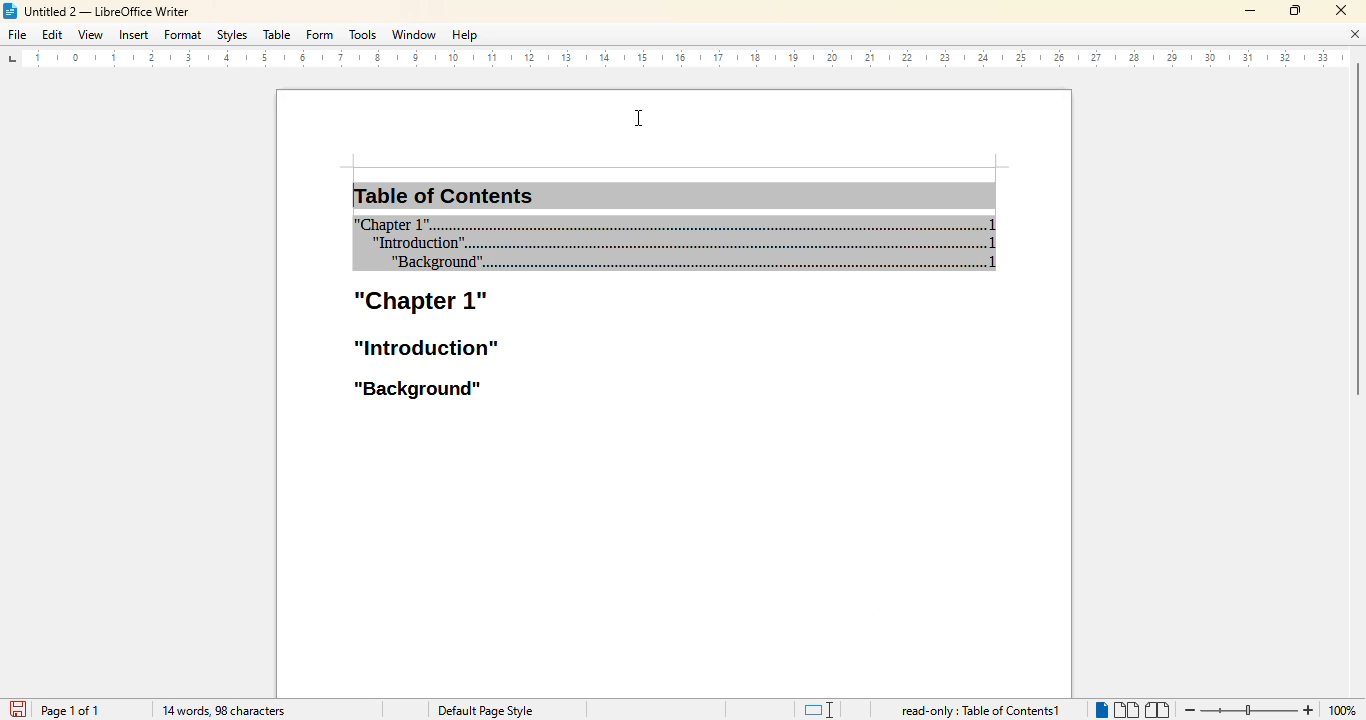 The image size is (1366, 720). What do you see at coordinates (319, 35) in the screenshot?
I see `form` at bounding box center [319, 35].